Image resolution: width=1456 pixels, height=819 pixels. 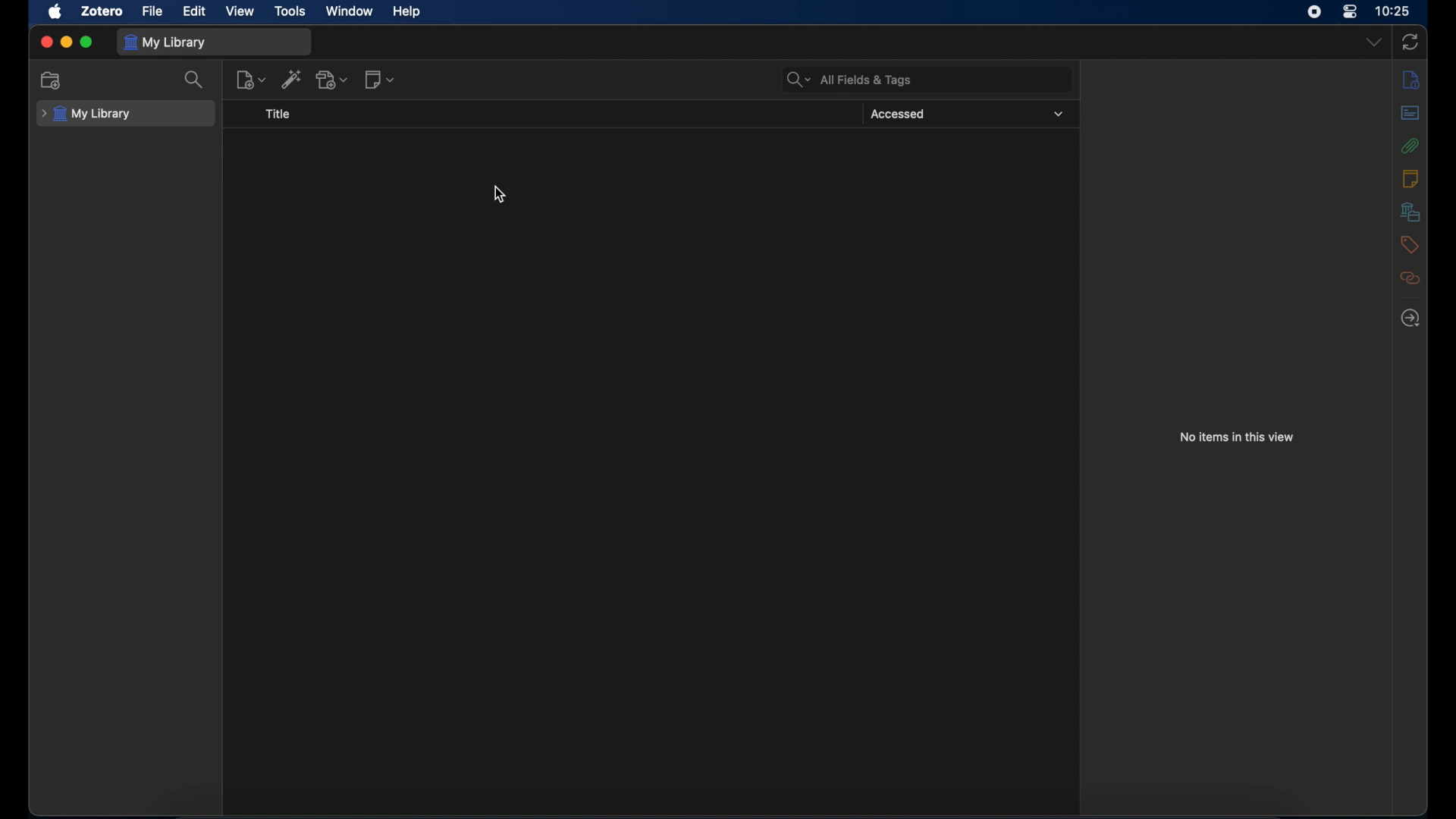 I want to click on notes, so click(x=1411, y=79).